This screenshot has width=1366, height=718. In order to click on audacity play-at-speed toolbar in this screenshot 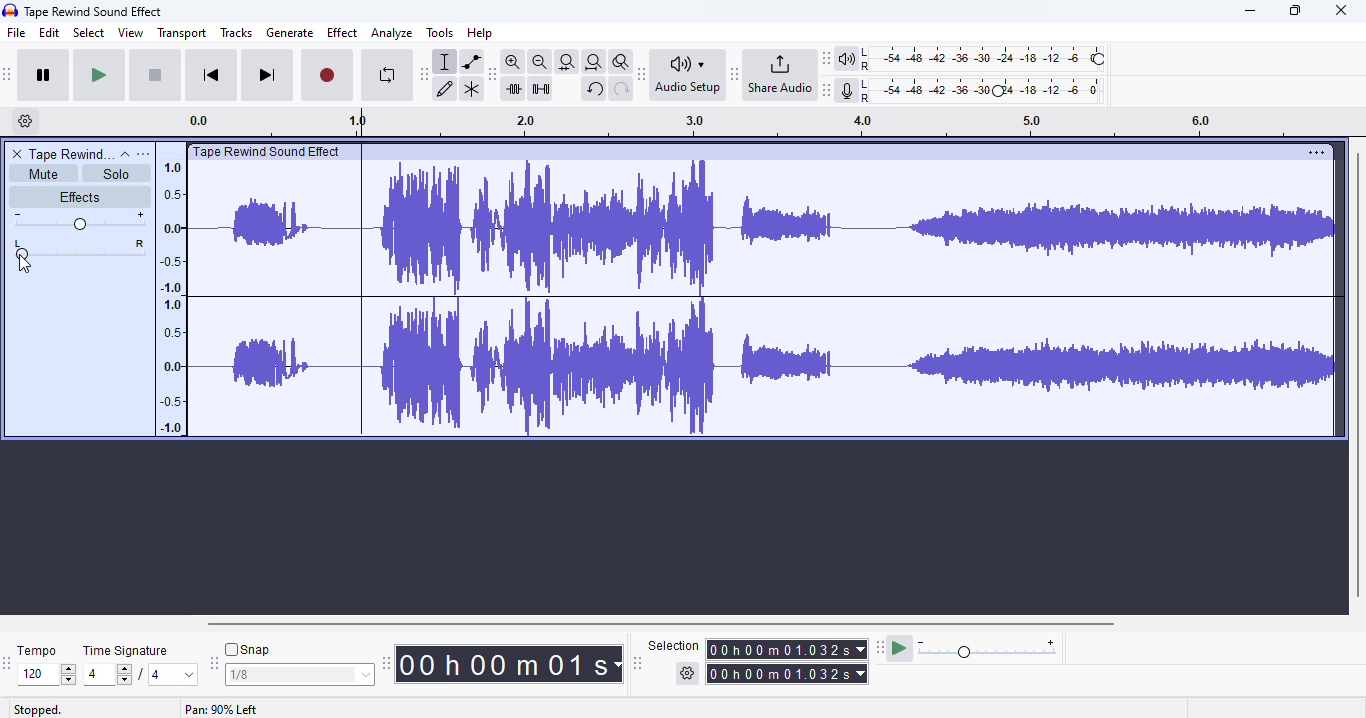, I will do `click(968, 647)`.